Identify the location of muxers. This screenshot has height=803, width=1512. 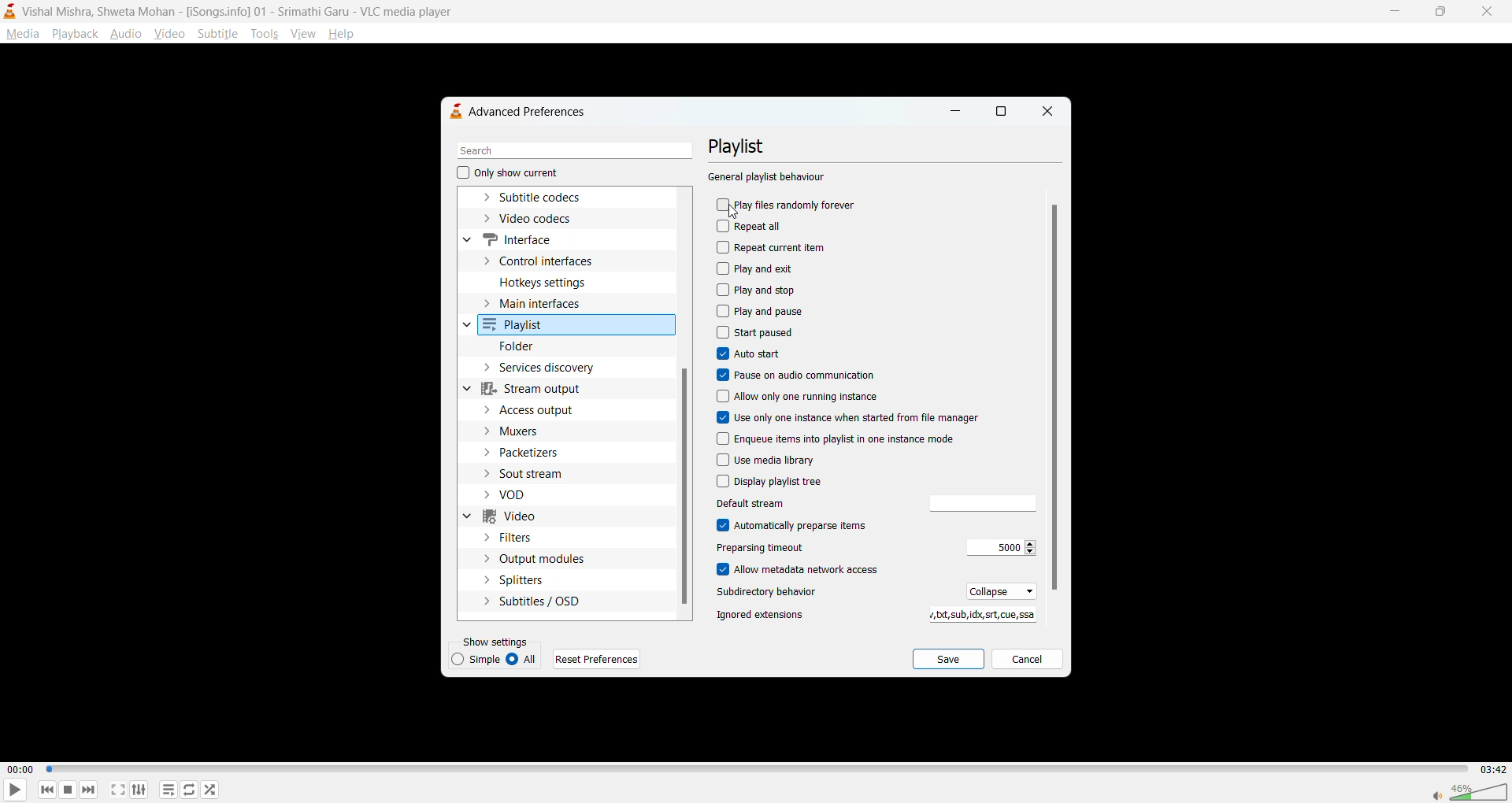
(525, 432).